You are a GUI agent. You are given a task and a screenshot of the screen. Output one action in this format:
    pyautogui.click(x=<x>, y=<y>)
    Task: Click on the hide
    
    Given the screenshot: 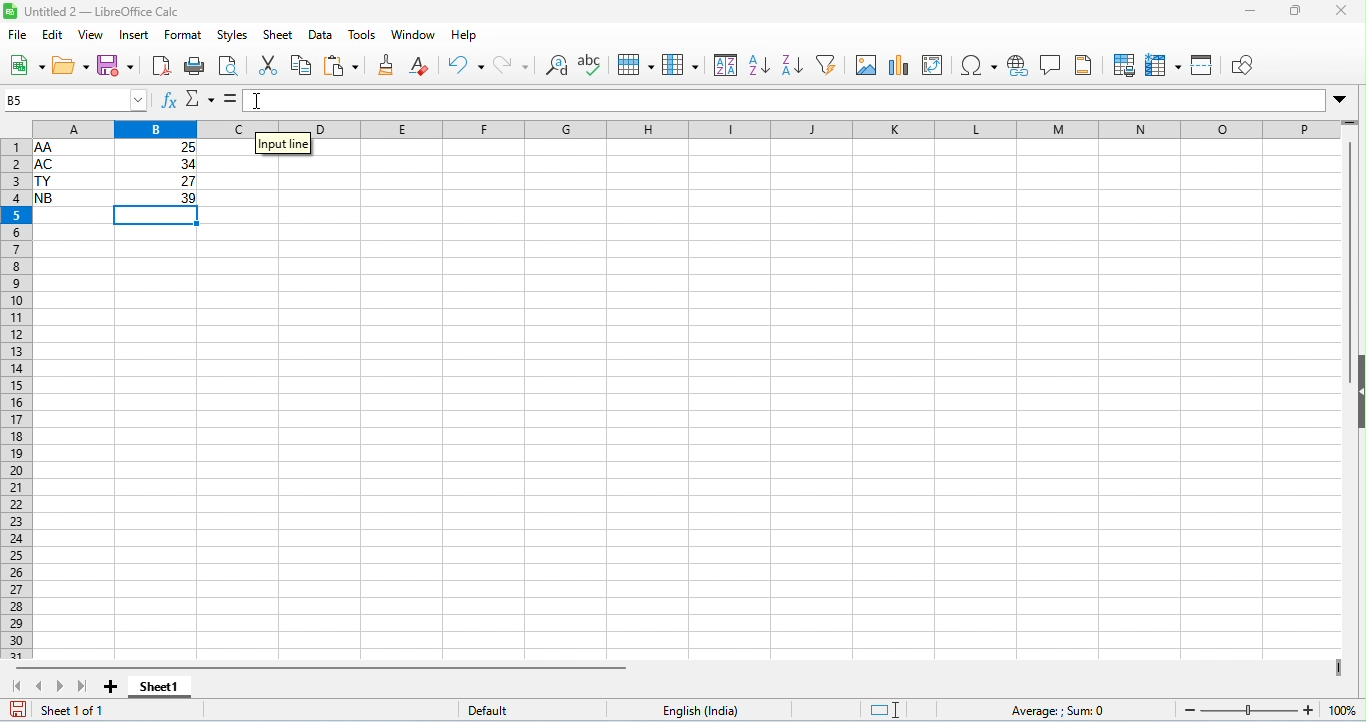 What is the action you would take?
    pyautogui.click(x=1357, y=390)
    